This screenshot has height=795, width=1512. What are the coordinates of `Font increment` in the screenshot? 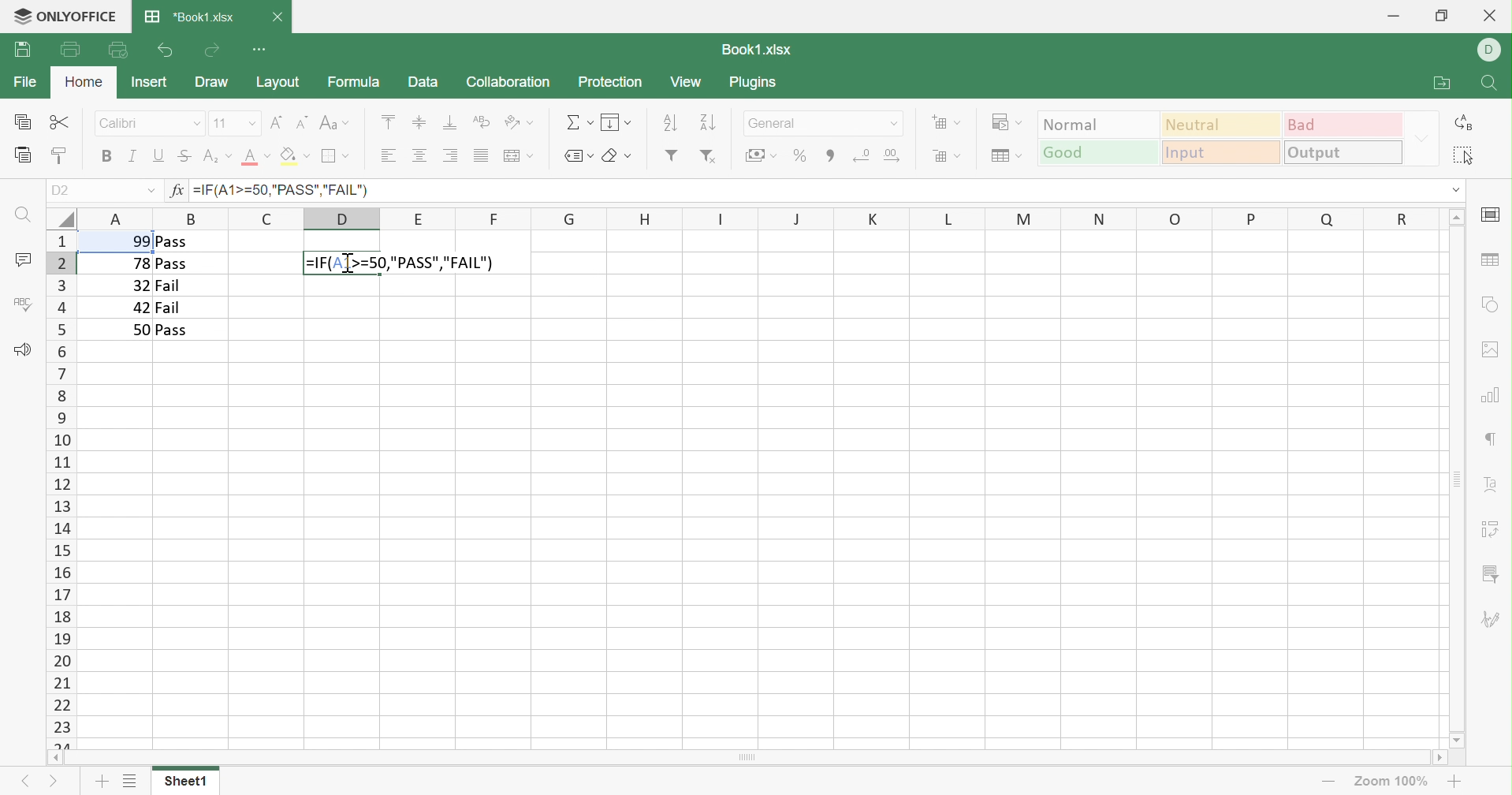 It's located at (277, 122).